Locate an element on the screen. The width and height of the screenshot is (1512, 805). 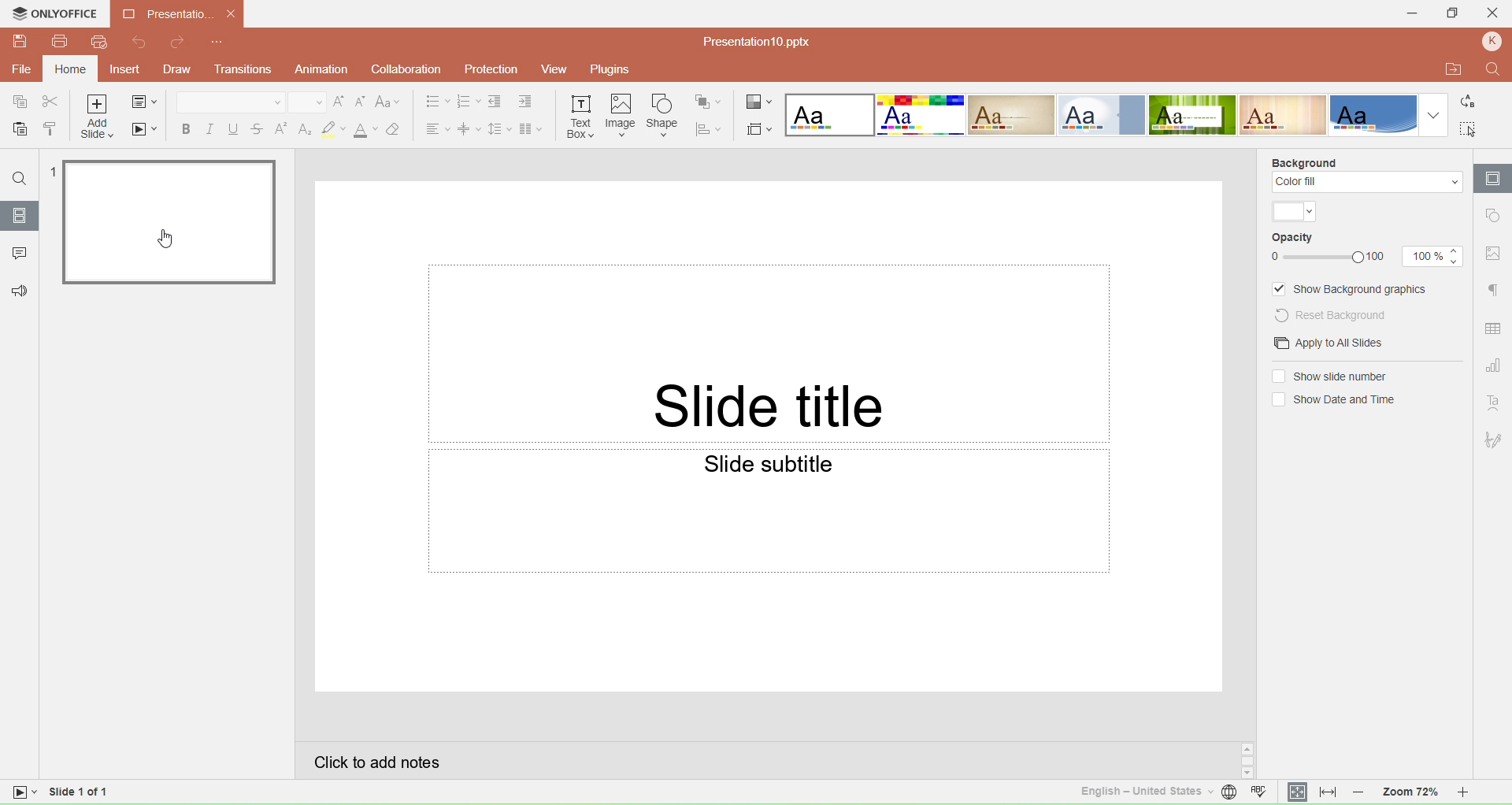
Zoom 72% is located at coordinates (1406, 793).